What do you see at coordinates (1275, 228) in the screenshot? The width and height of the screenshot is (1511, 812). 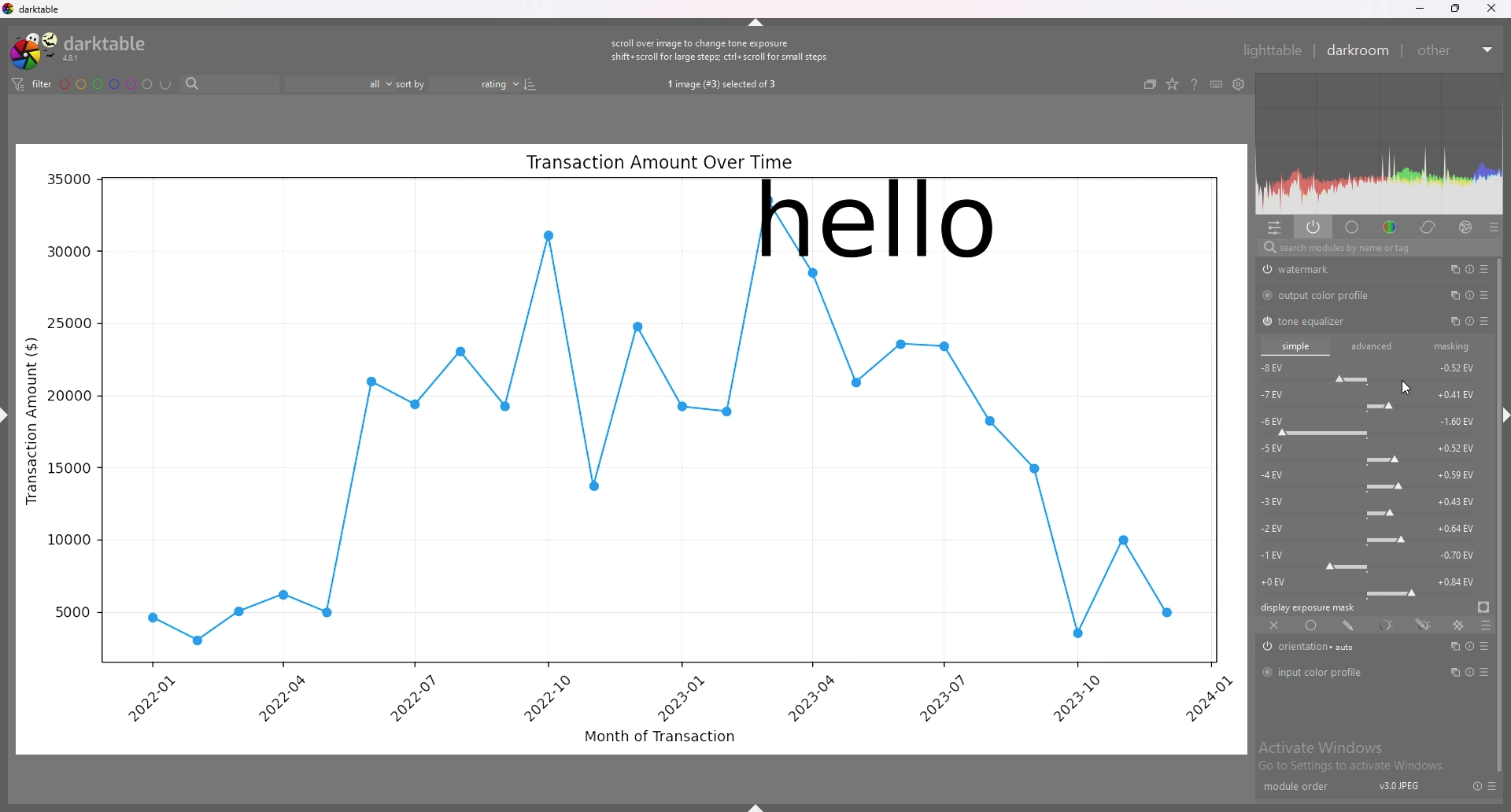 I see `quick access panel` at bounding box center [1275, 228].